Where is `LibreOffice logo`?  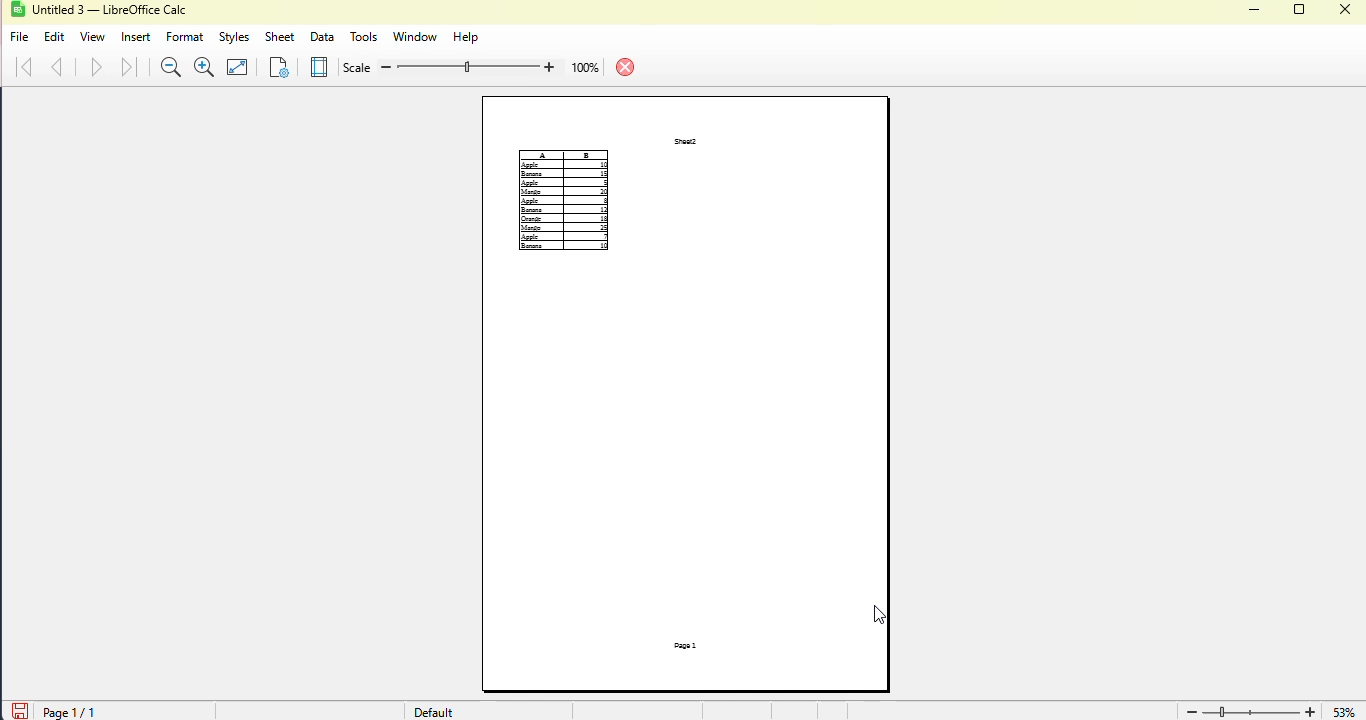
LibreOffice logo is located at coordinates (29, 9).